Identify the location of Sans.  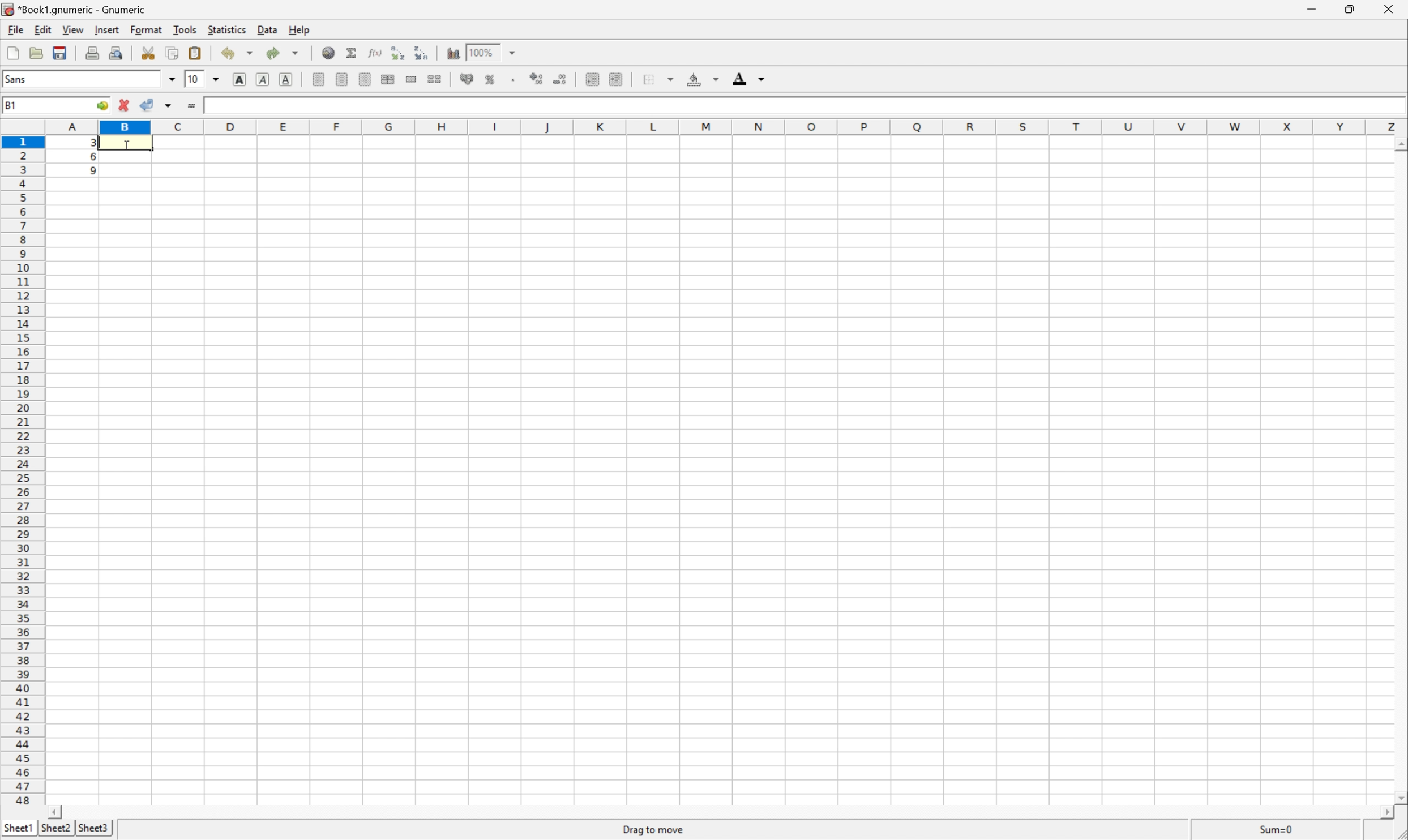
(15, 78).